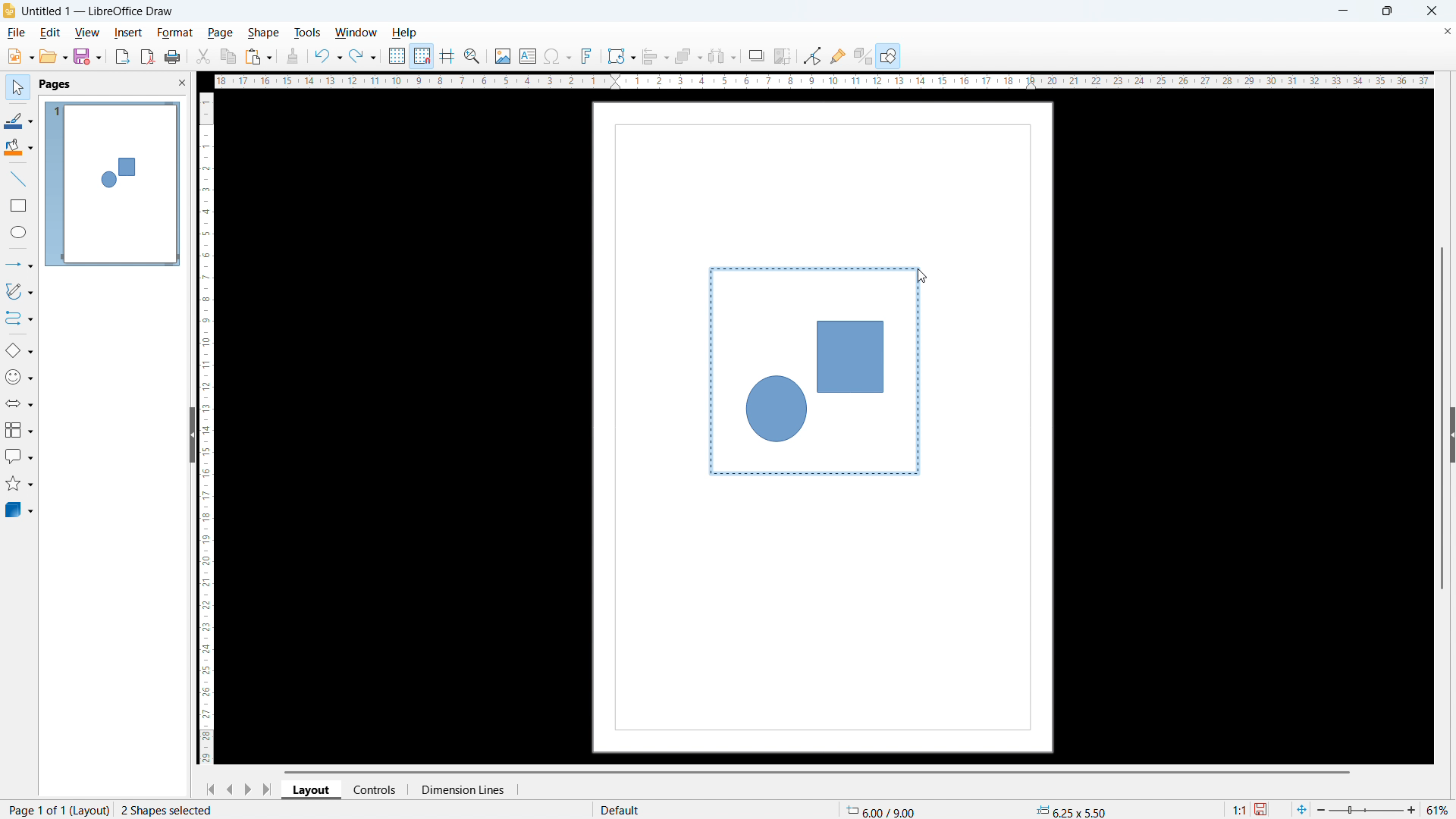  What do you see at coordinates (18, 205) in the screenshot?
I see `rectangle` at bounding box center [18, 205].